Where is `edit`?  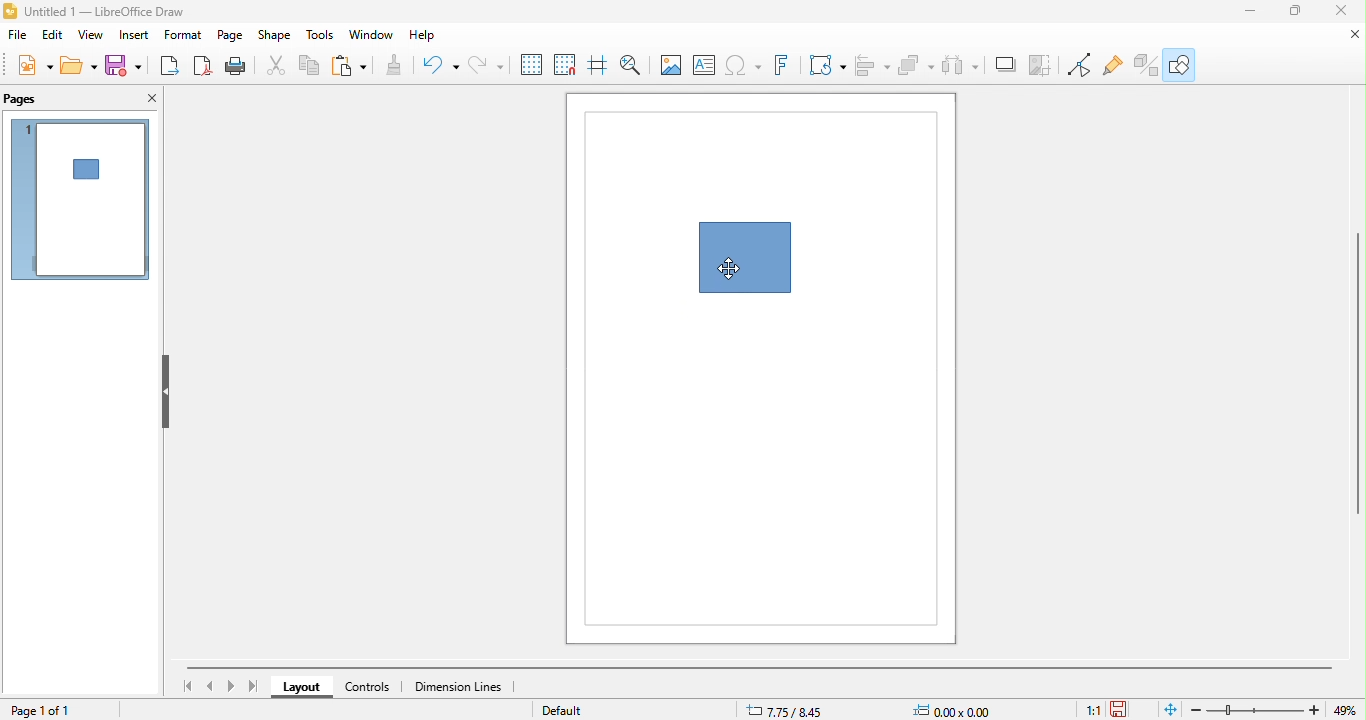 edit is located at coordinates (52, 35).